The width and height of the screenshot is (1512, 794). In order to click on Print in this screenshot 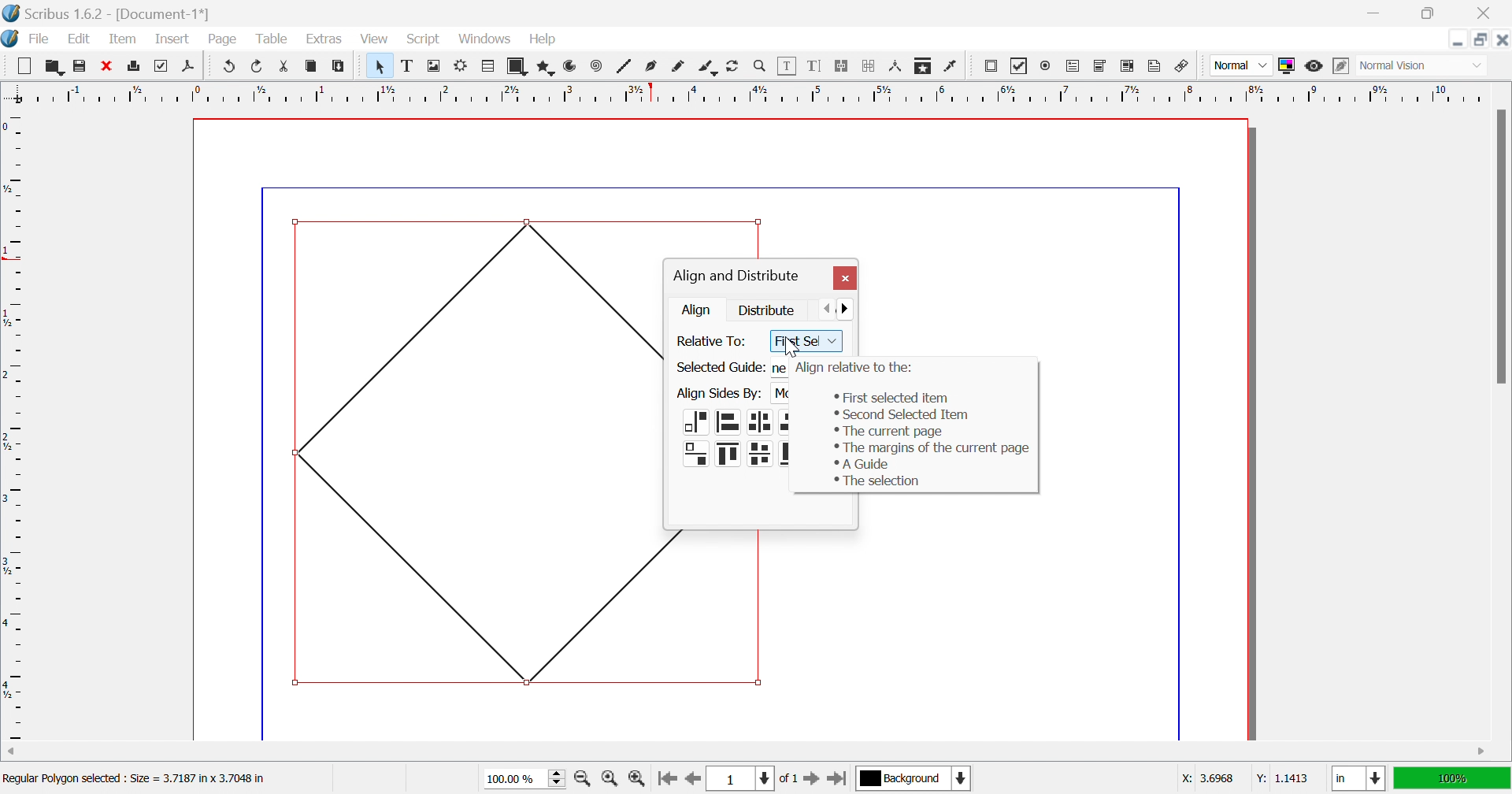, I will do `click(135, 66)`.